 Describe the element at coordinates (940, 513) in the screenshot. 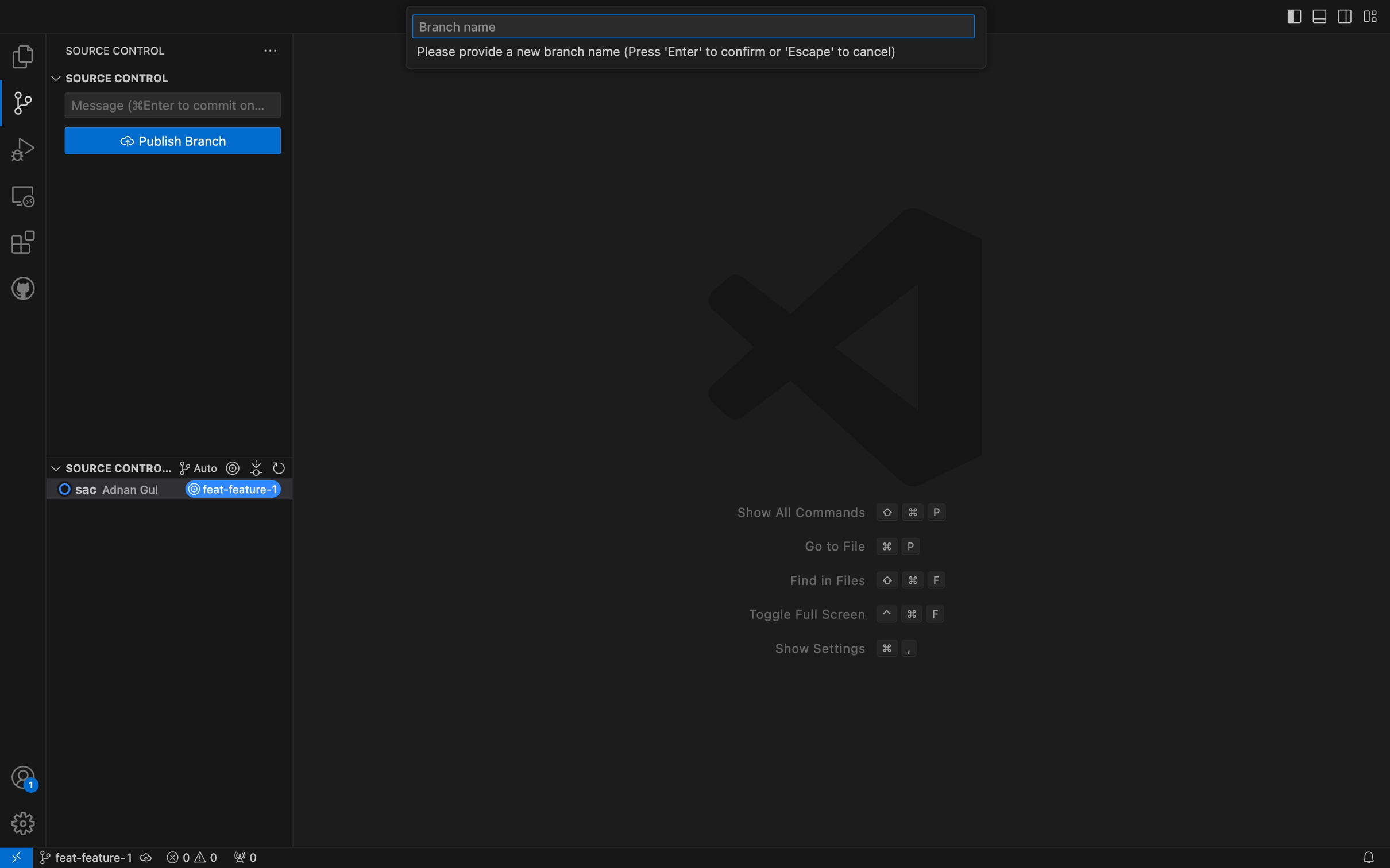

I see `P` at that location.